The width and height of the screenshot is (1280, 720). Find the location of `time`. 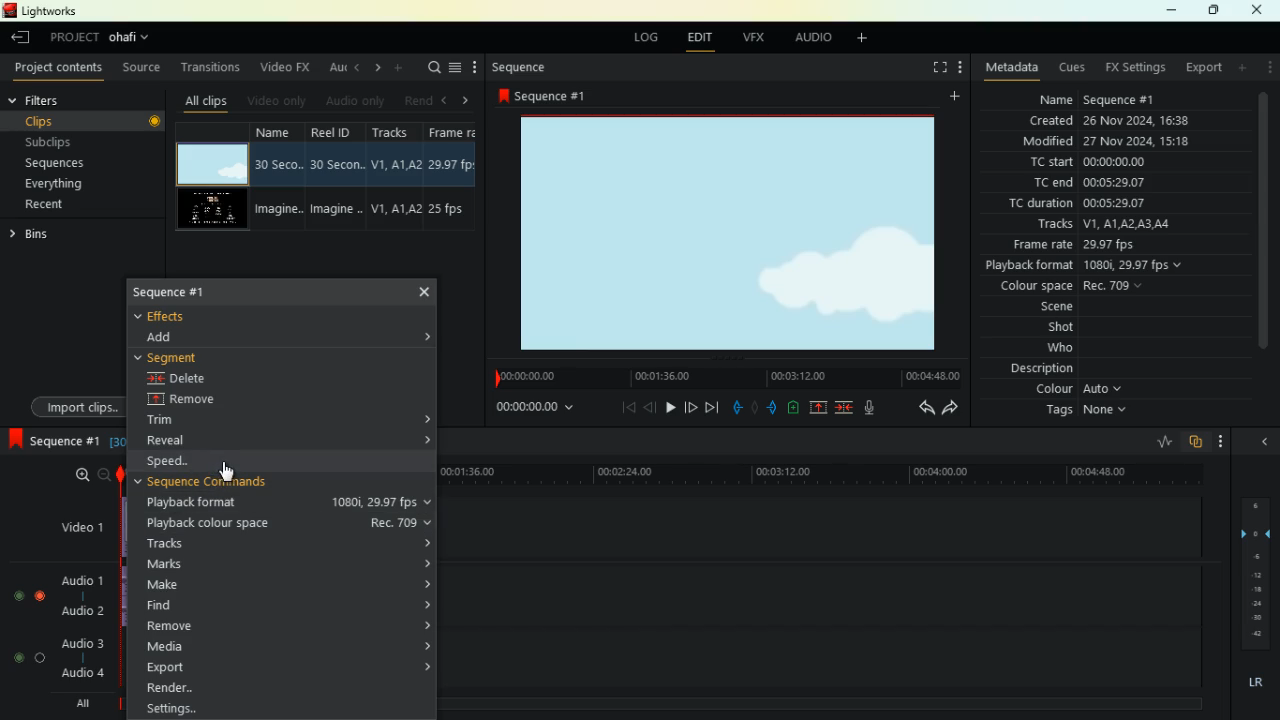

time is located at coordinates (833, 474).